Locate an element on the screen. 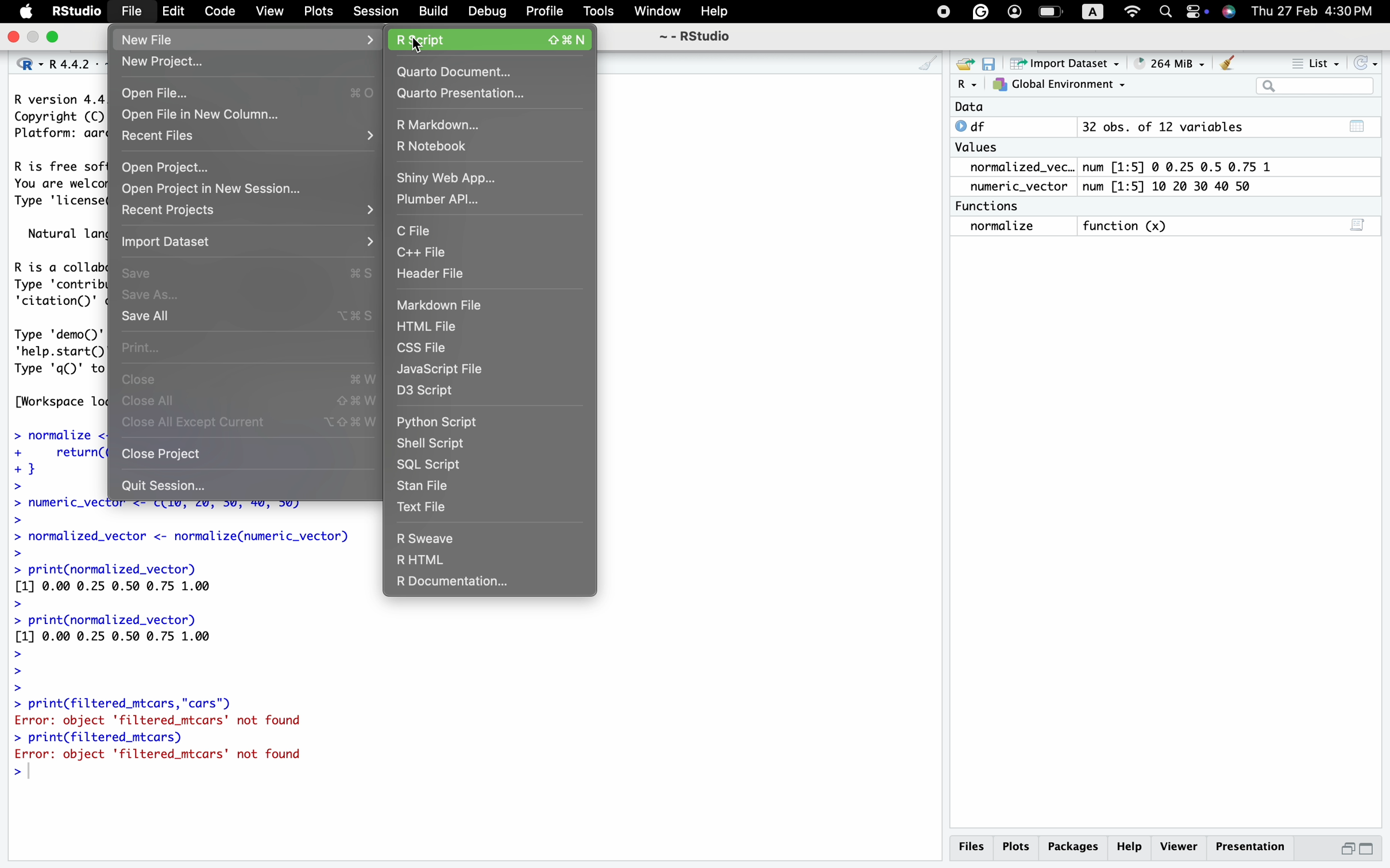 The width and height of the screenshot is (1390, 868). recent projects is located at coordinates (249, 215).